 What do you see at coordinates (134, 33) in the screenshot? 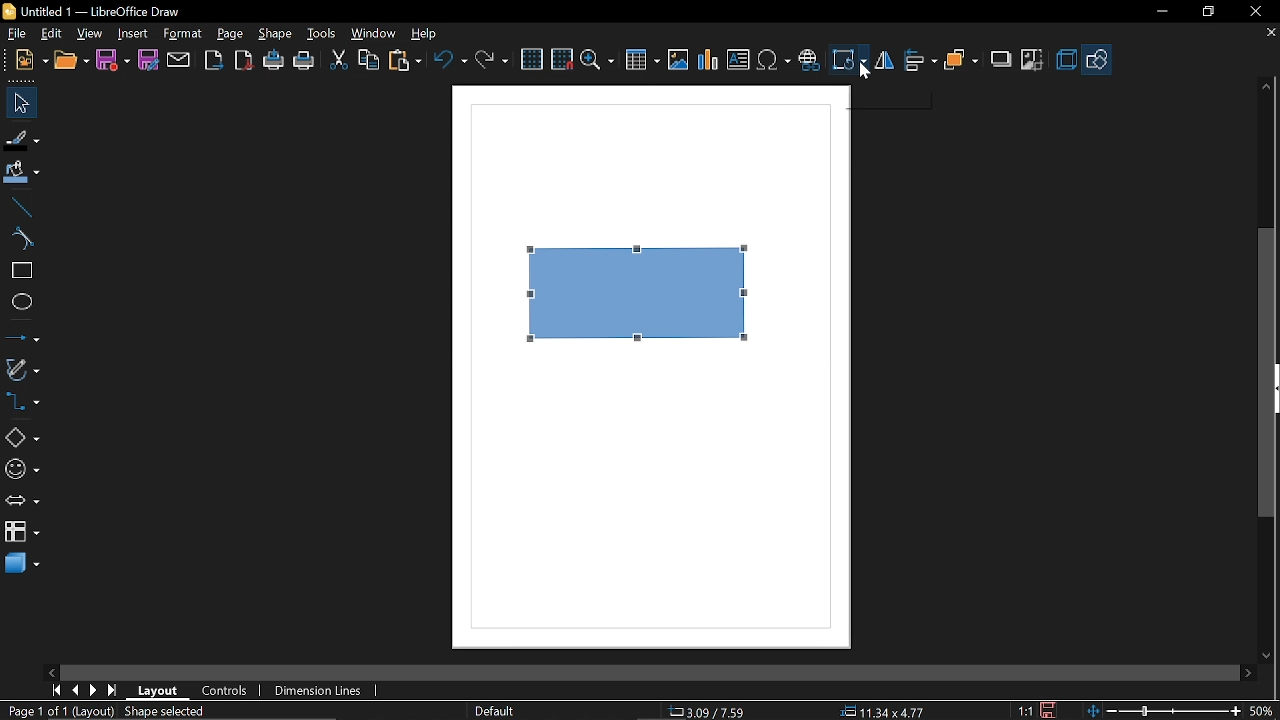
I see `Insert` at bounding box center [134, 33].